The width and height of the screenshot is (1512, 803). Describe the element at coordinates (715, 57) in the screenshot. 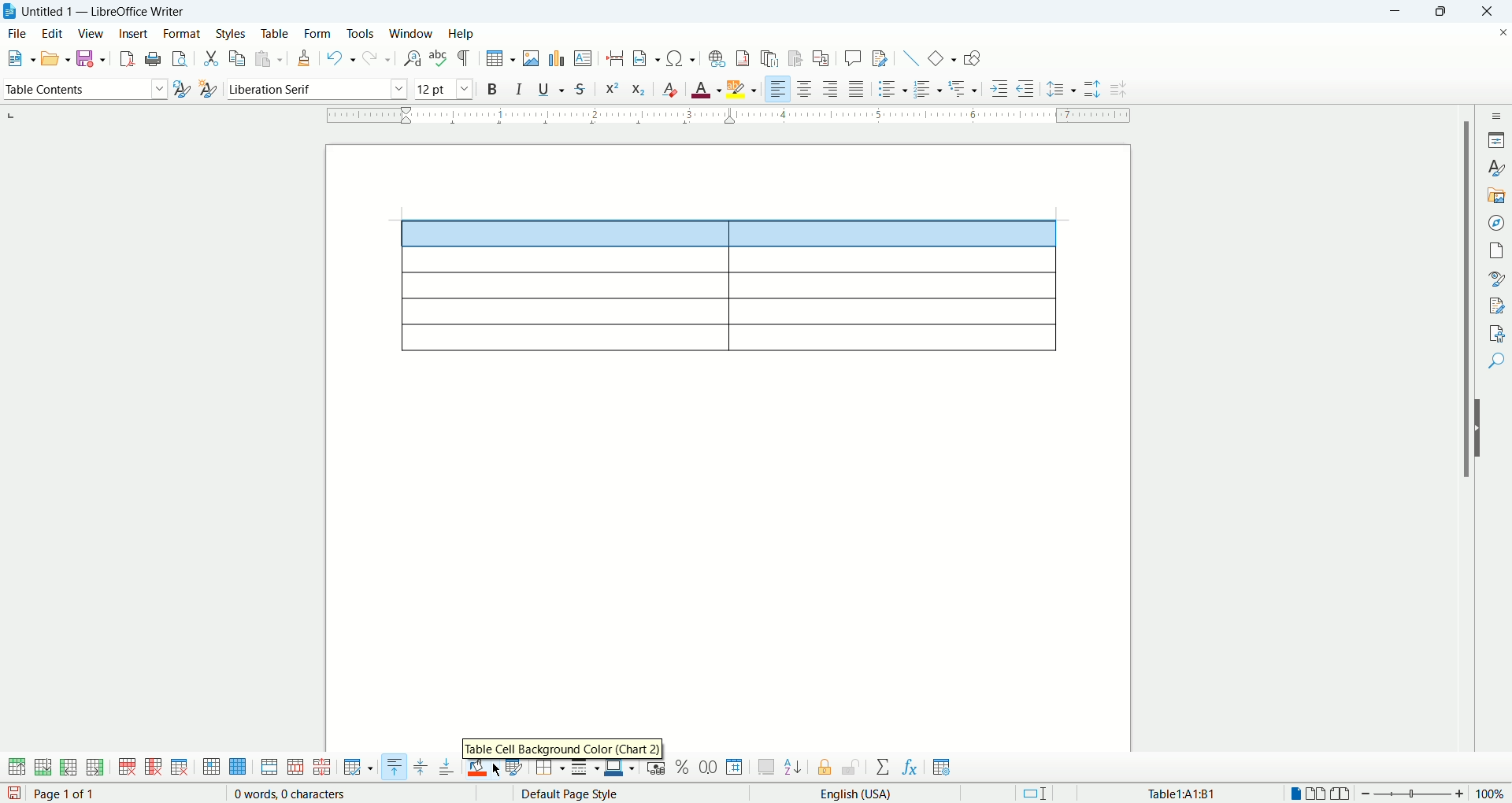

I see `insert hyperlink` at that location.